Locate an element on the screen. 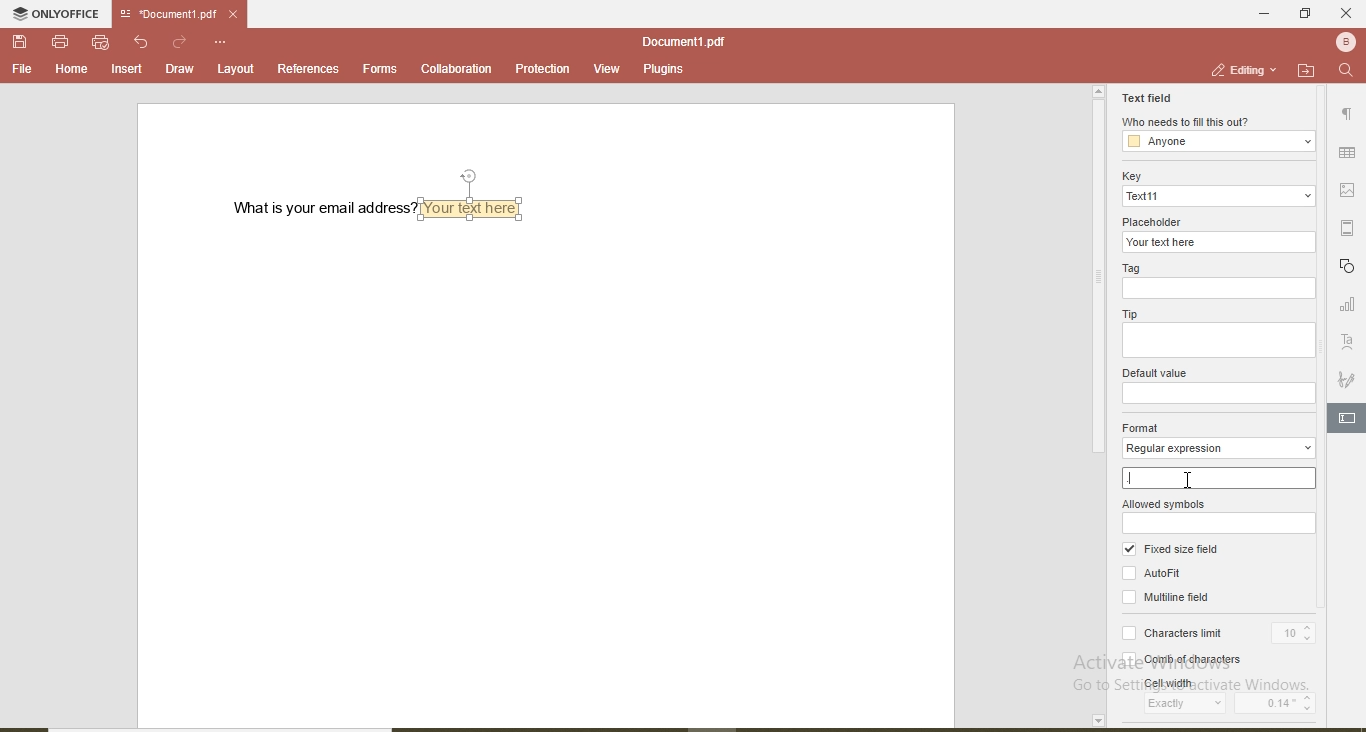 This screenshot has height=732, width=1366. format is located at coordinates (1143, 426).